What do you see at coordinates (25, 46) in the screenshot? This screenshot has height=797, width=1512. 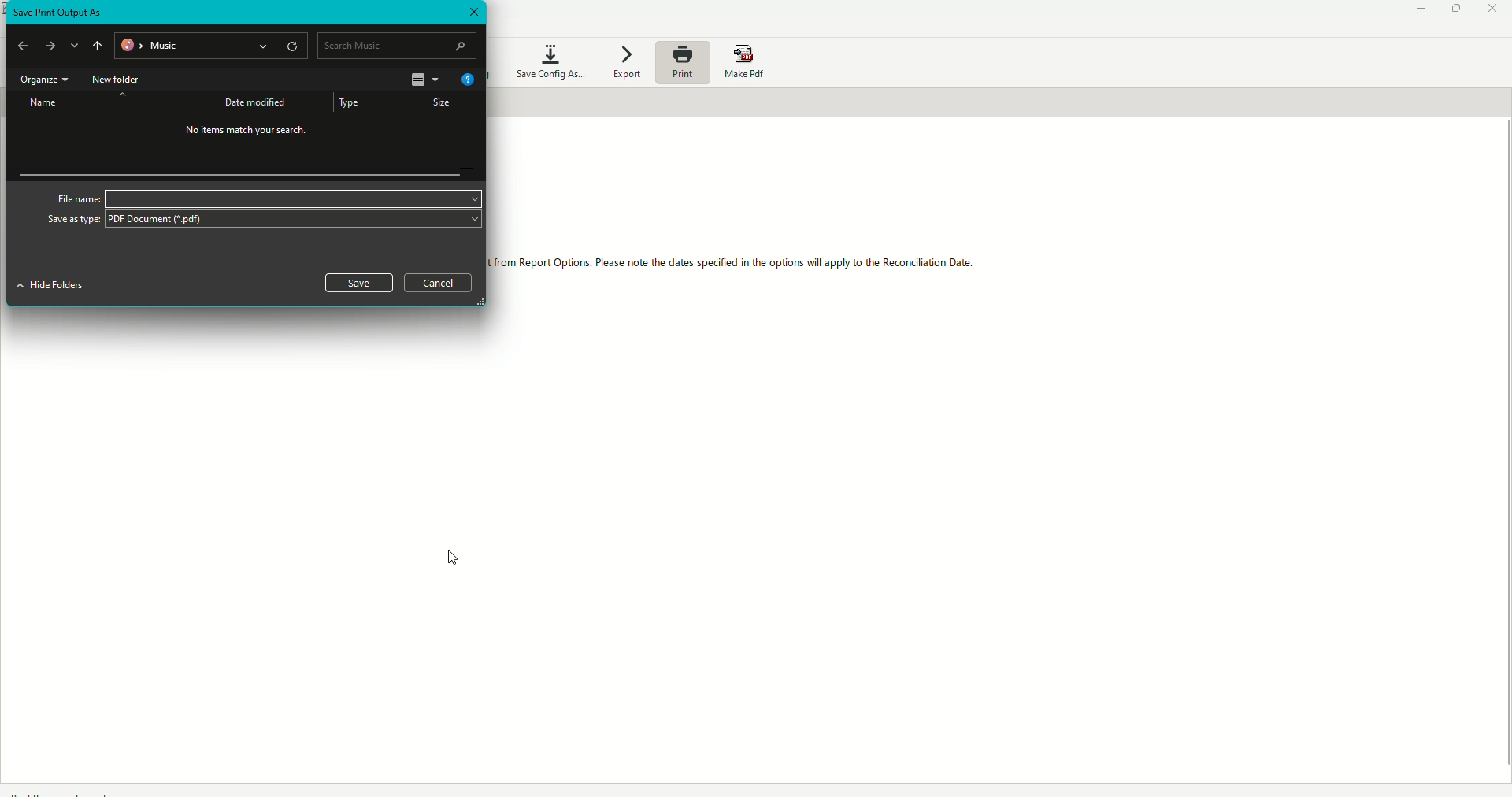 I see `back` at bounding box center [25, 46].